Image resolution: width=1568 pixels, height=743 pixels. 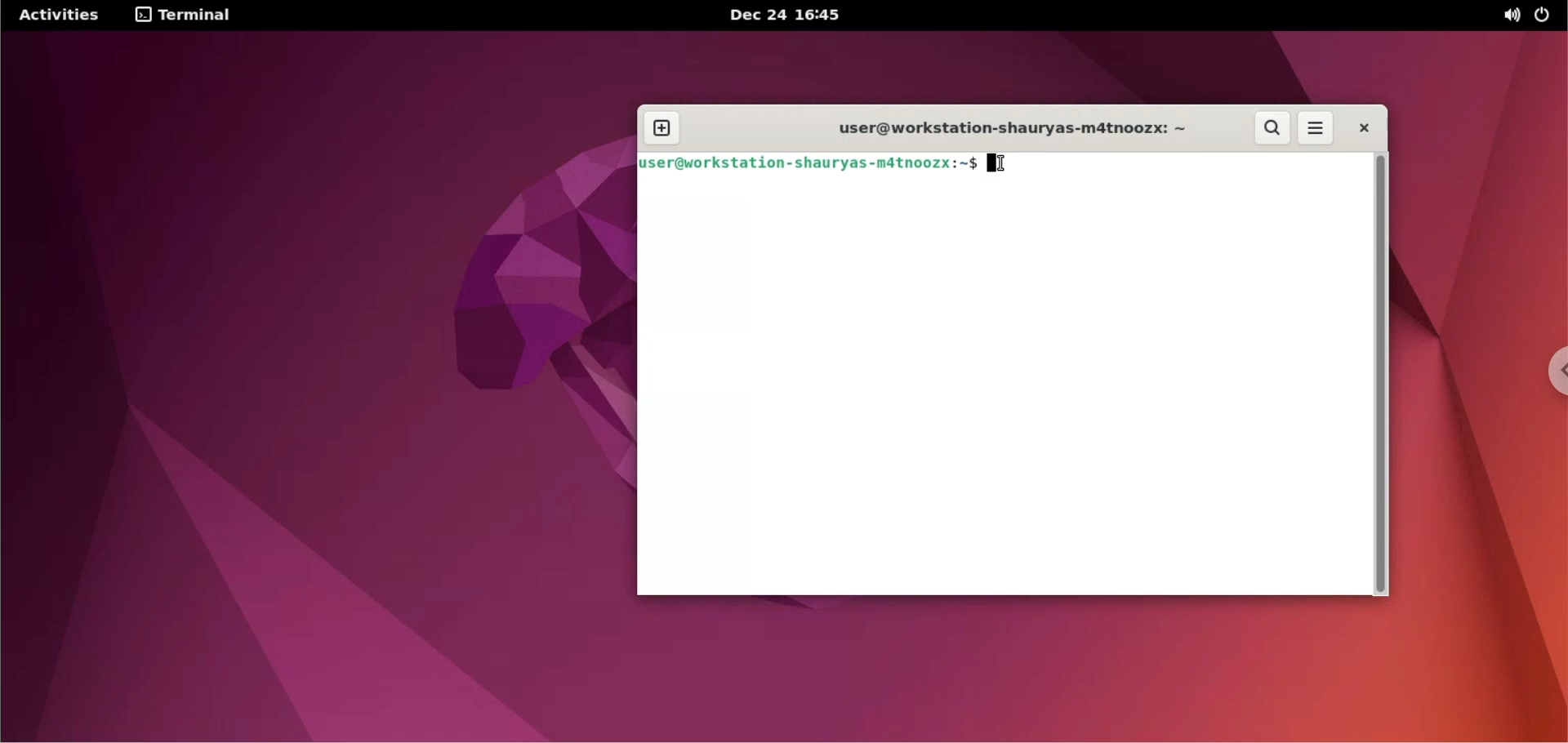 What do you see at coordinates (1001, 162) in the screenshot?
I see `cursor` at bounding box center [1001, 162].